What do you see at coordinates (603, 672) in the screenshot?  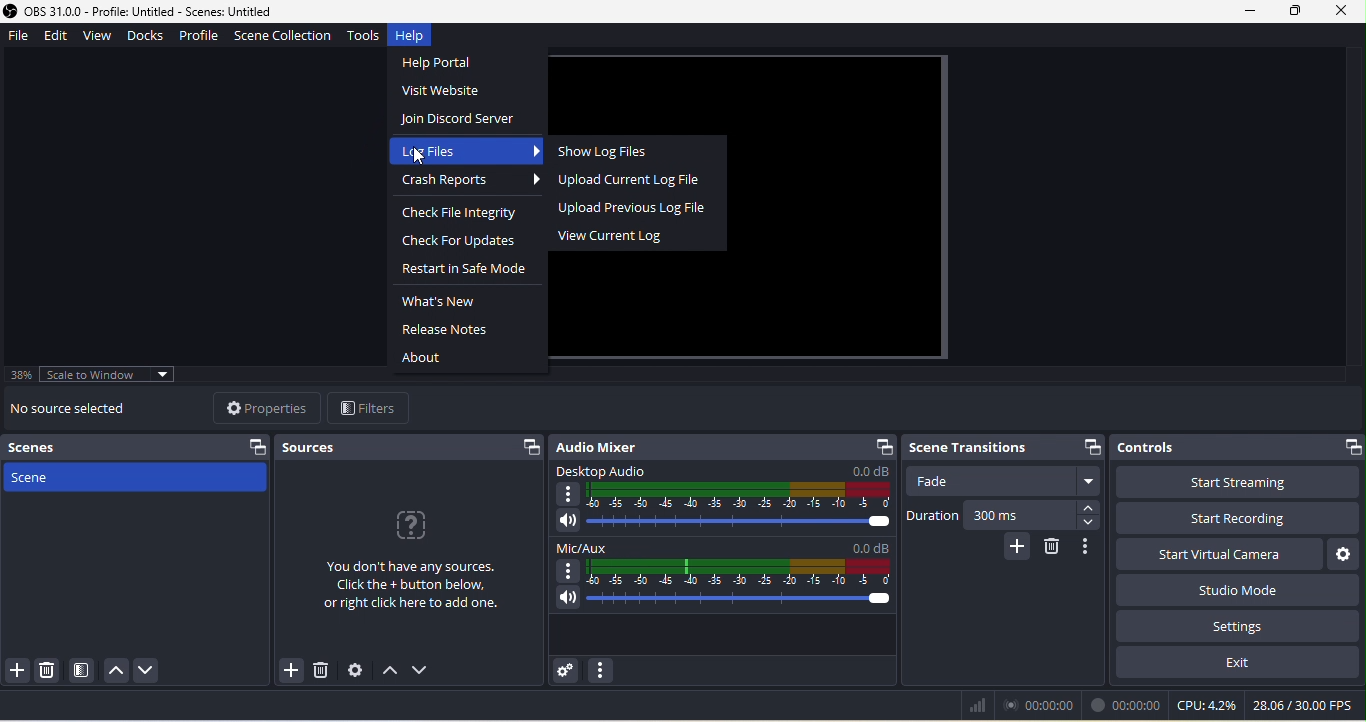 I see `audio mixer menu` at bounding box center [603, 672].